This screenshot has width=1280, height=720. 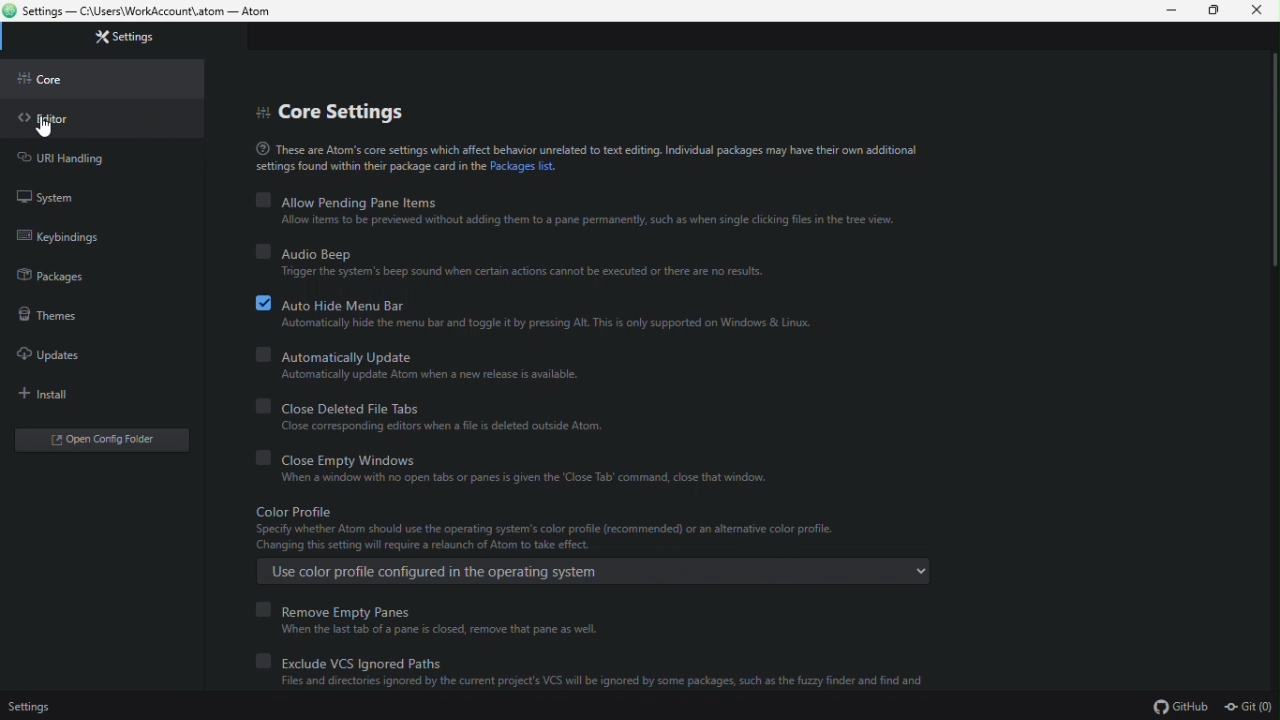 I want to click on on, so click(x=264, y=303).